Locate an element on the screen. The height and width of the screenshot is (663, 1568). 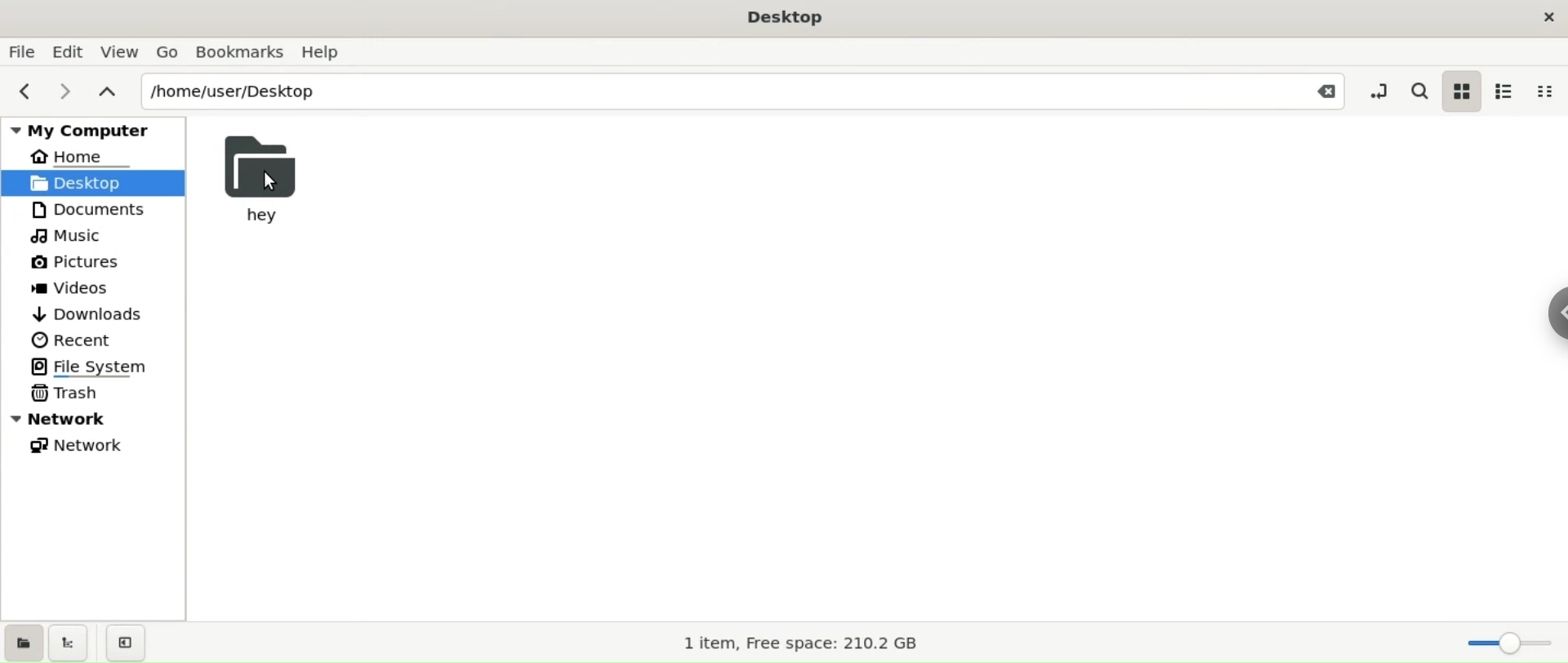
Network is located at coordinates (79, 446).